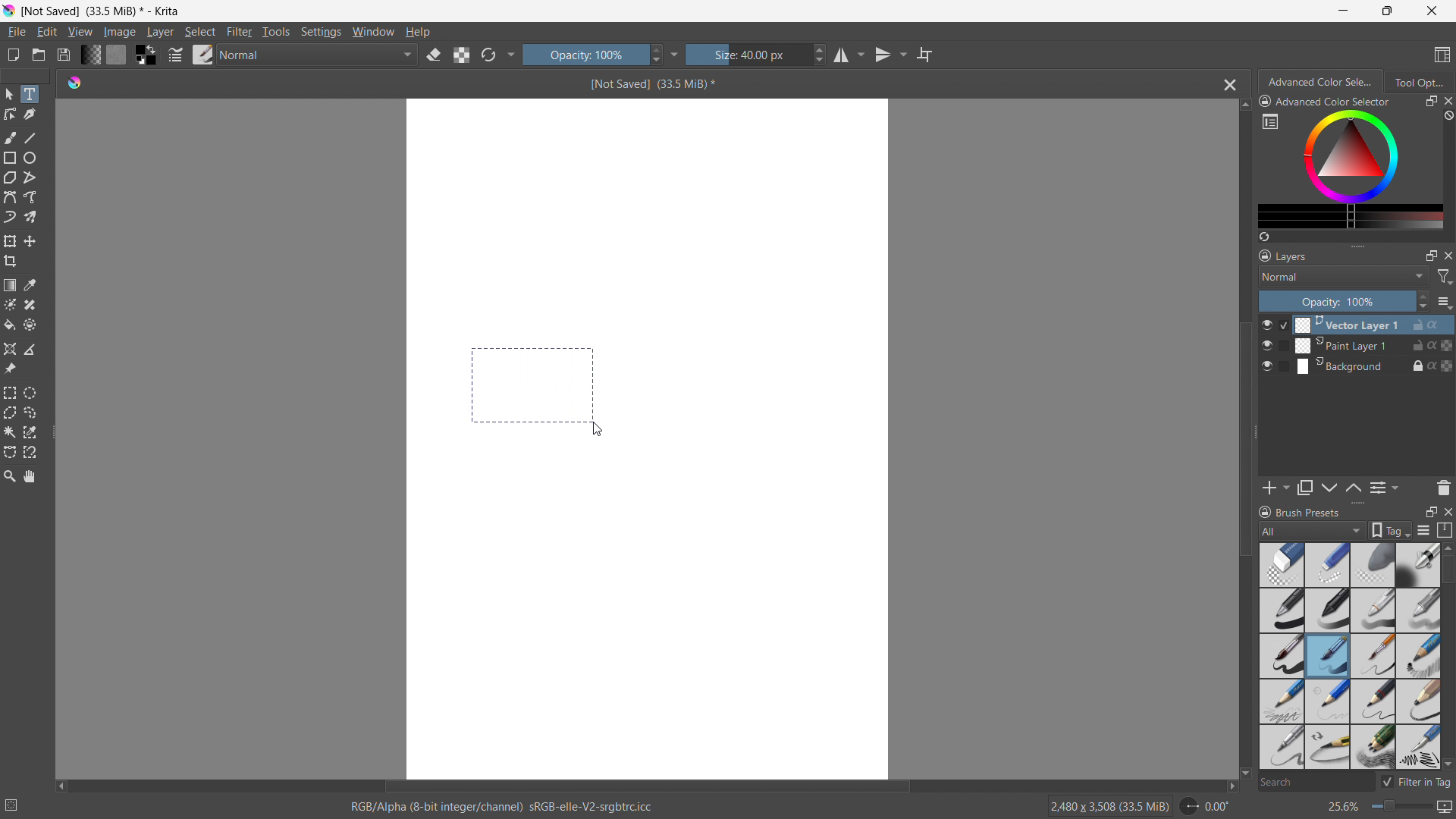 Image resolution: width=1456 pixels, height=819 pixels. What do you see at coordinates (1264, 237) in the screenshot?
I see `create a list of colors from the picture` at bounding box center [1264, 237].